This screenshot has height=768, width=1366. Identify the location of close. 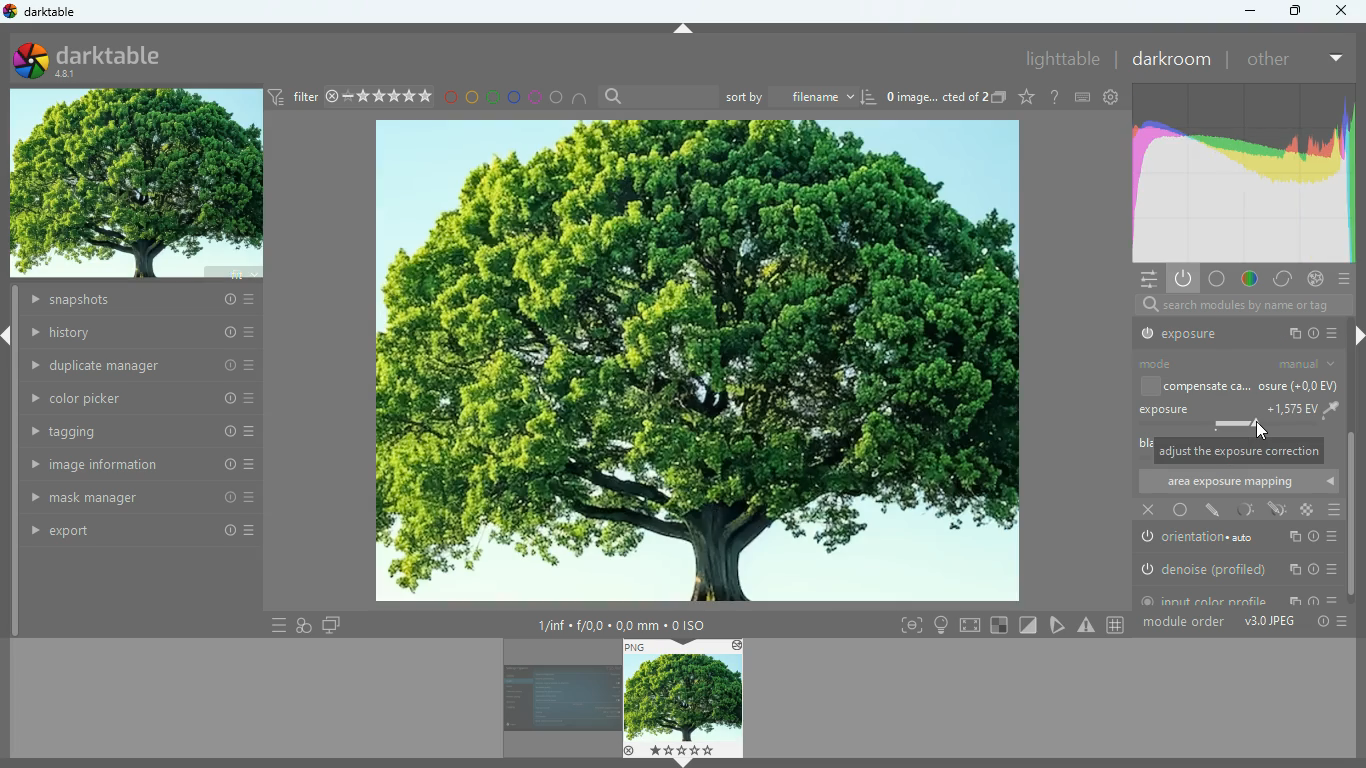
(1147, 511).